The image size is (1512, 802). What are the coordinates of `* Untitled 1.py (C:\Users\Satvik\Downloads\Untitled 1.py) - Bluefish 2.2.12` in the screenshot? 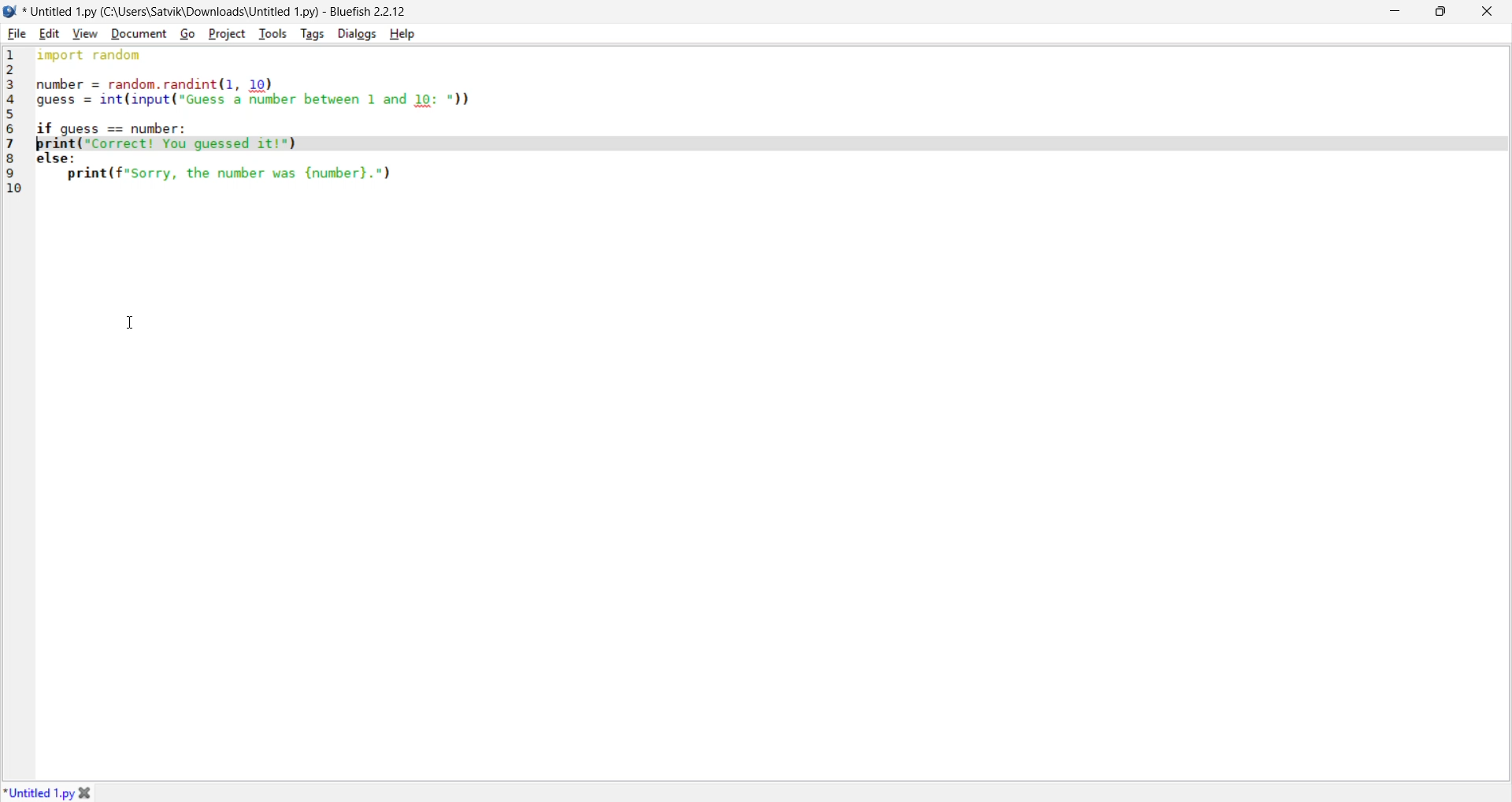 It's located at (217, 11).